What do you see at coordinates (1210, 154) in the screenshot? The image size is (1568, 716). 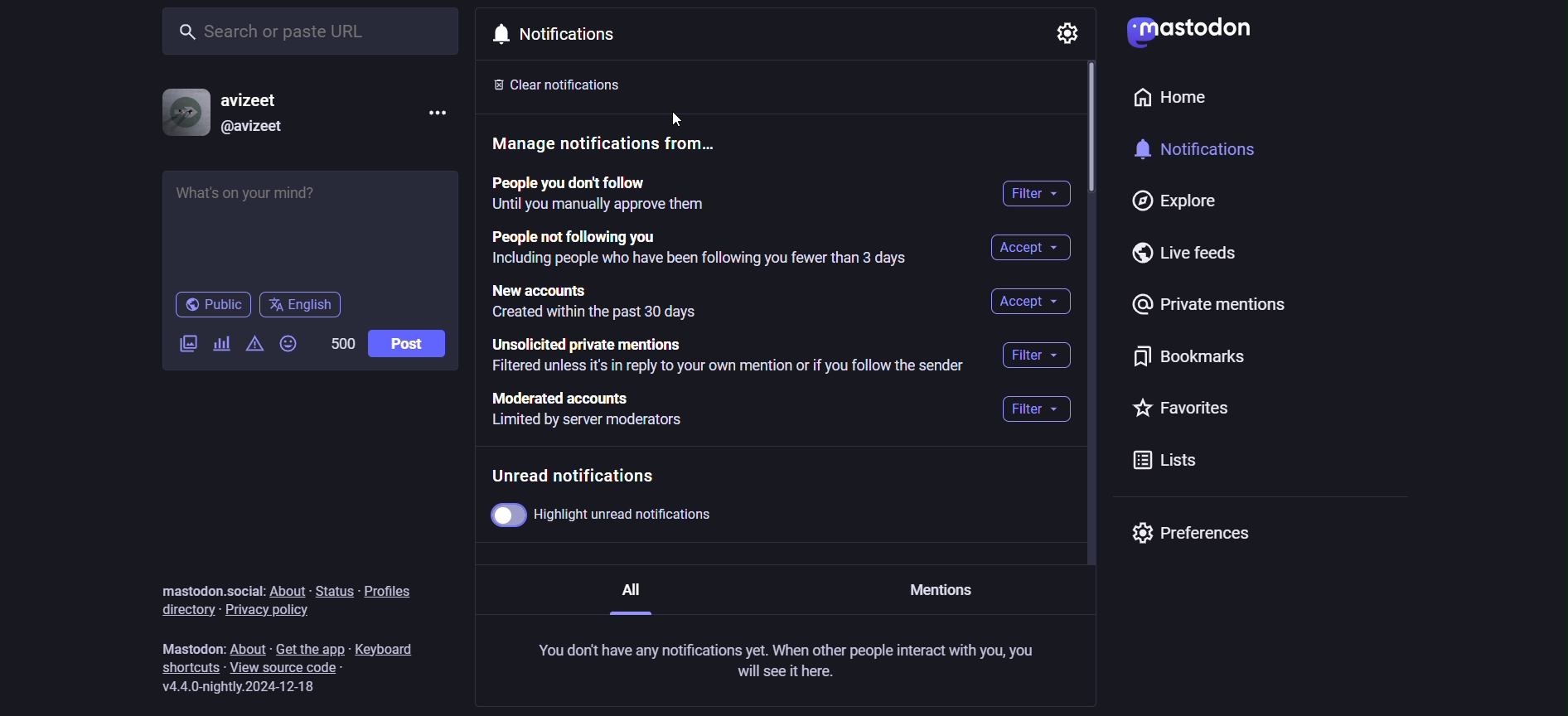 I see `notification` at bounding box center [1210, 154].